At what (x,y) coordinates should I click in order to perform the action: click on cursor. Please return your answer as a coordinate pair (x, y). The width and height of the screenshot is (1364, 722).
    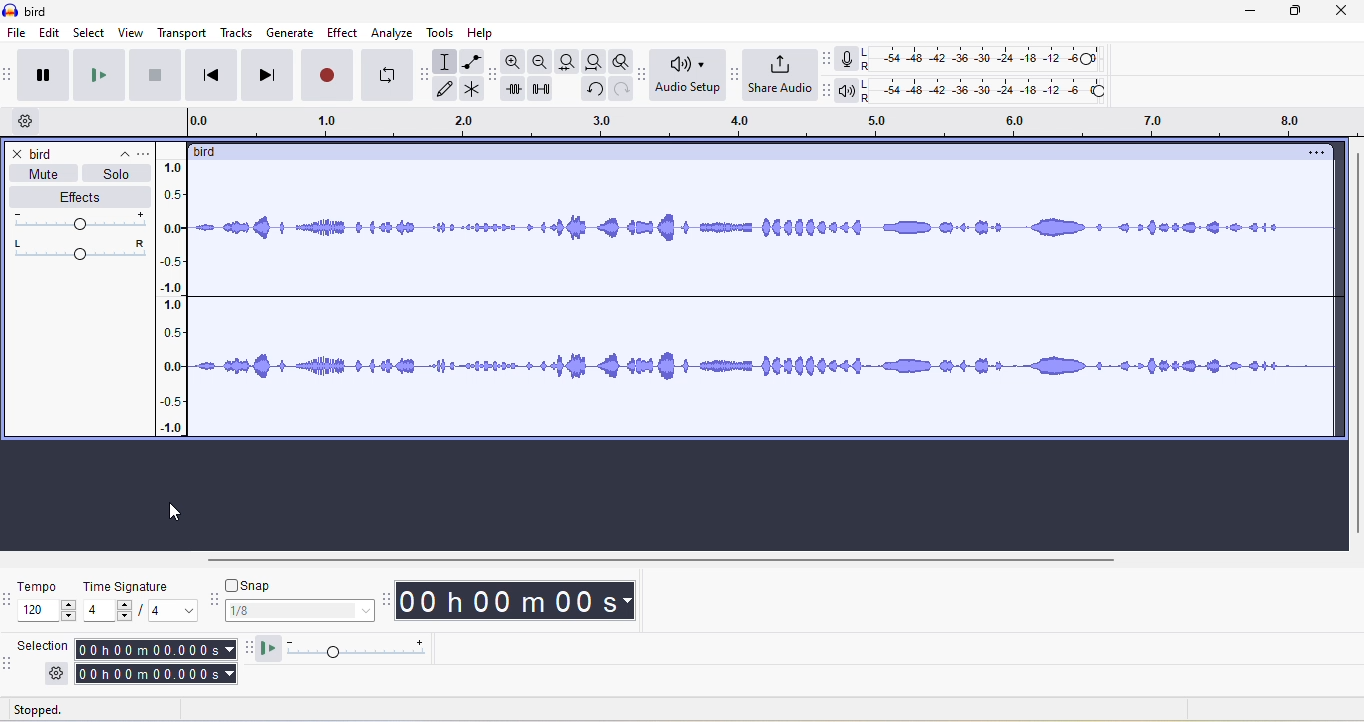
    Looking at the image, I should click on (174, 512).